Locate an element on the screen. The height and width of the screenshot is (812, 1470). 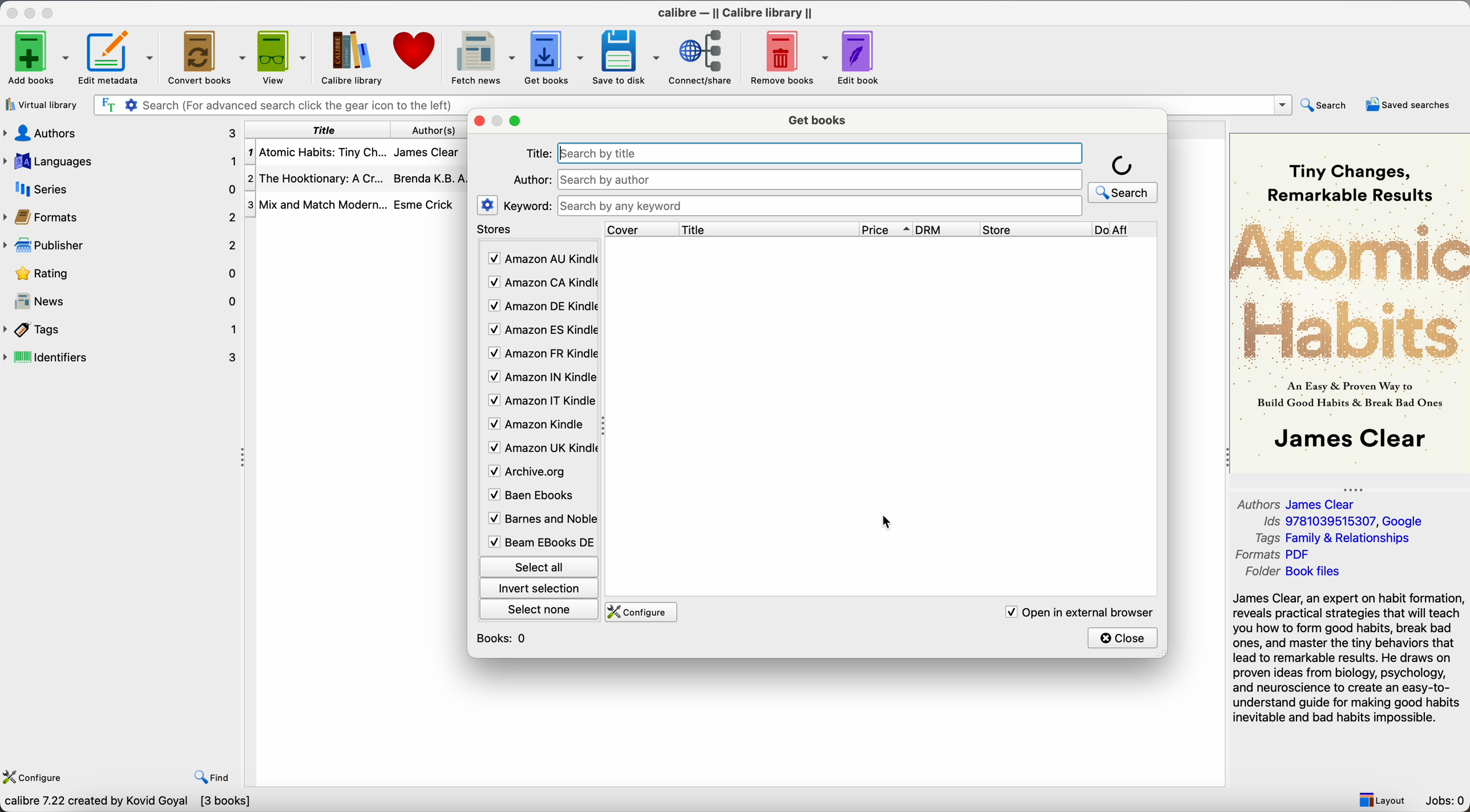
layout is located at coordinates (1382, 800).